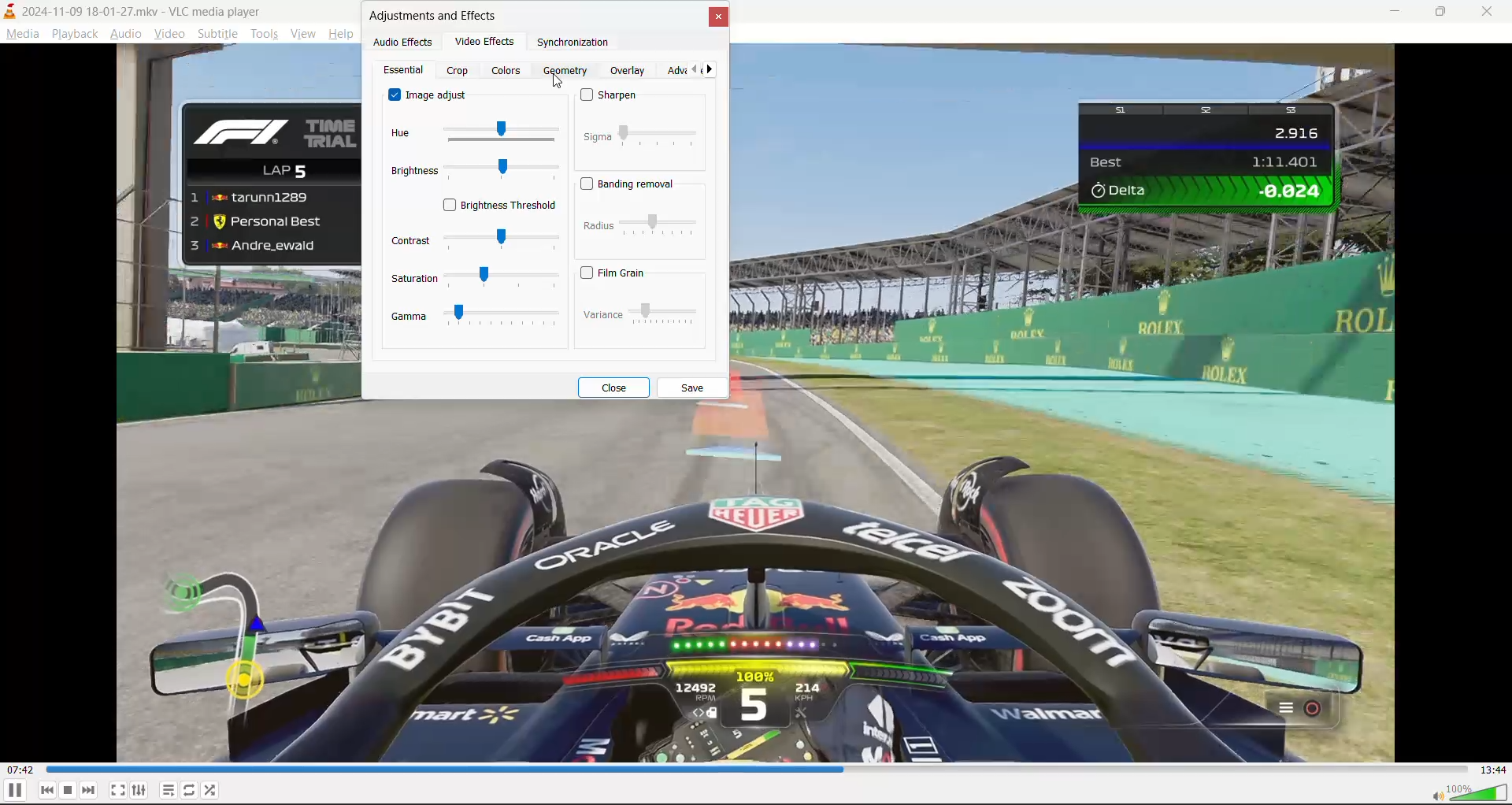  I want to click on save, so click(695, 387).